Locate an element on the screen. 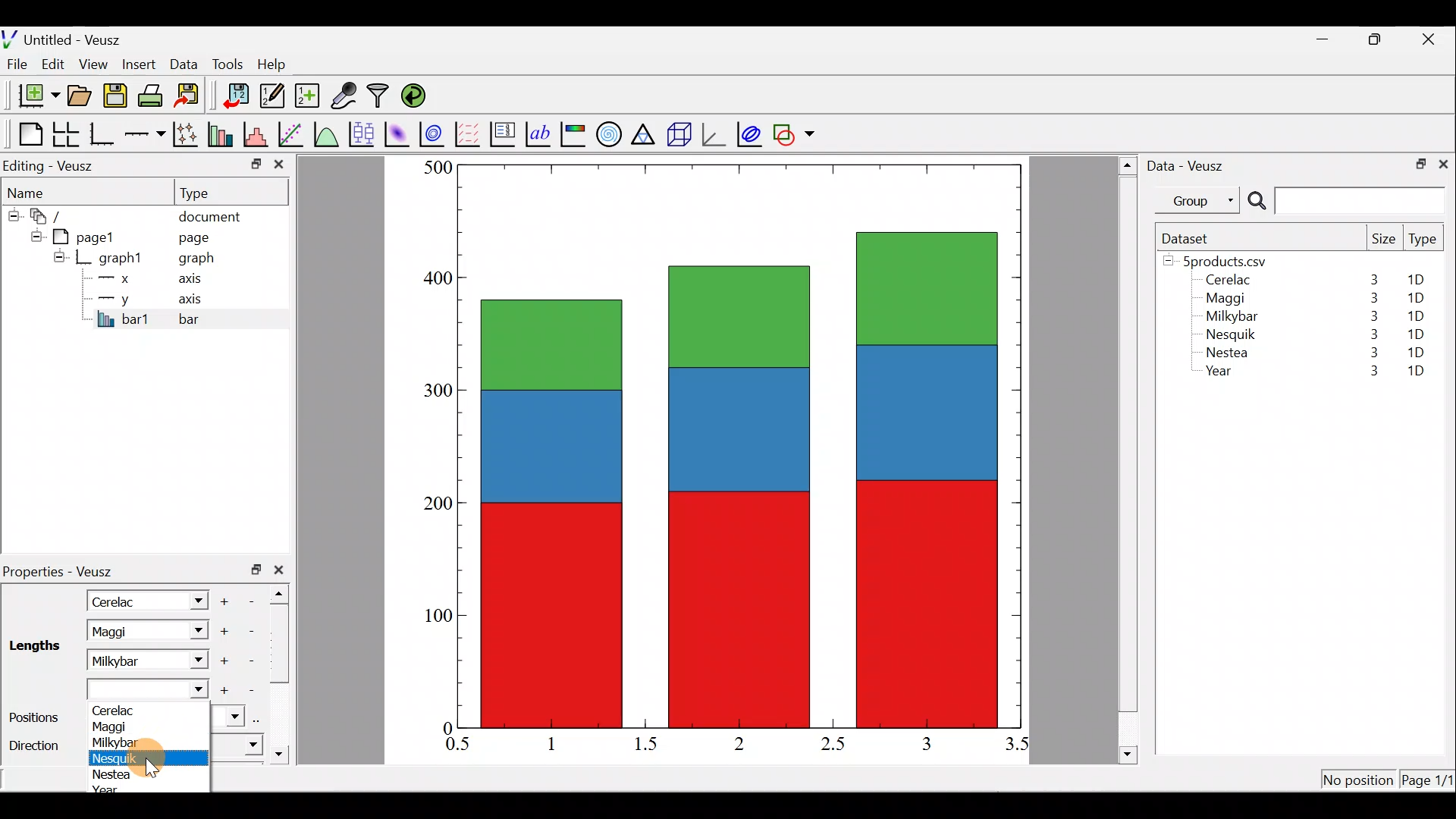 This screenshot has height=819, width=1456. 1D is located at coordinates (1412, 315).